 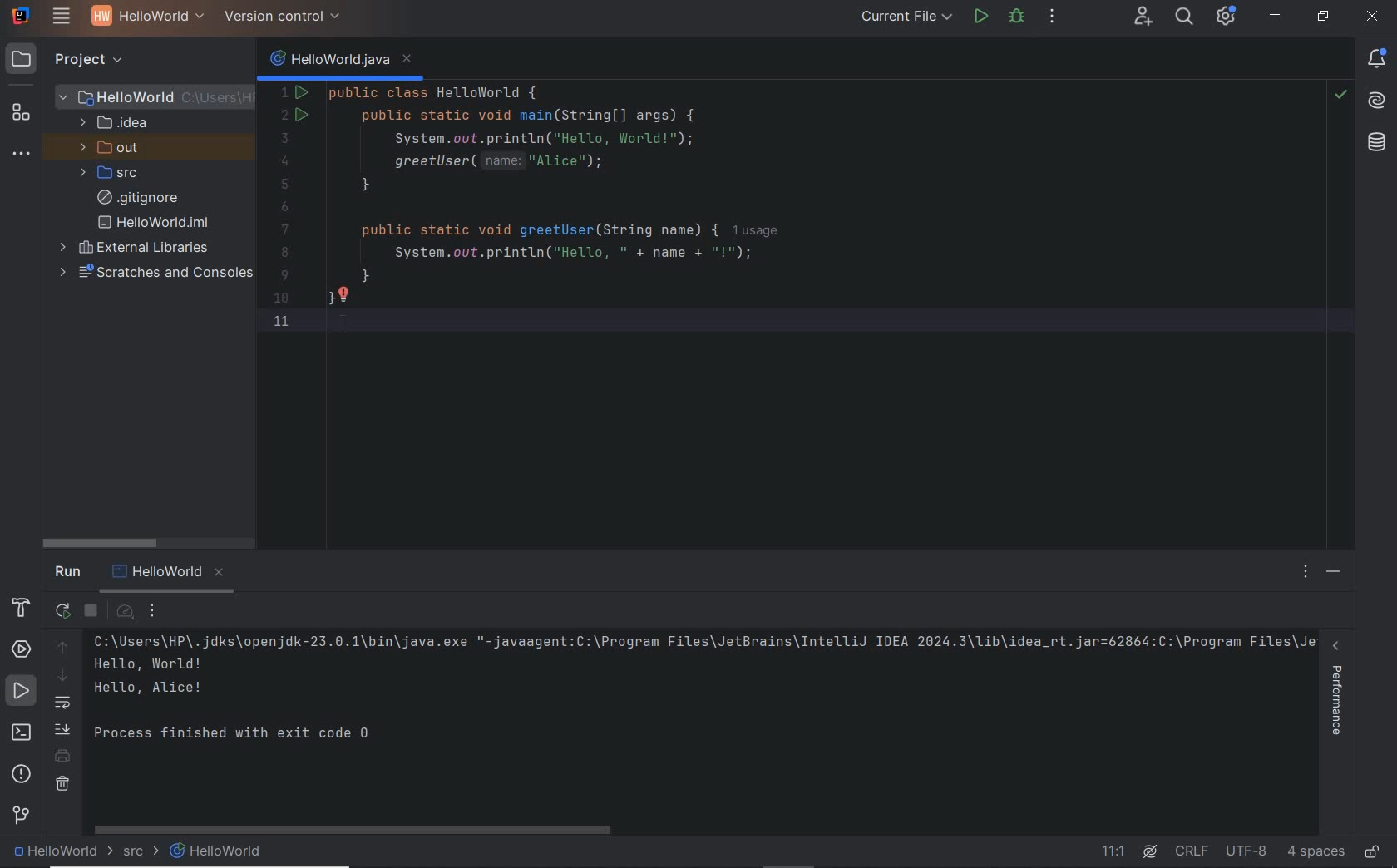 I want to click on up the stack trace, so click(x=63, y=649).